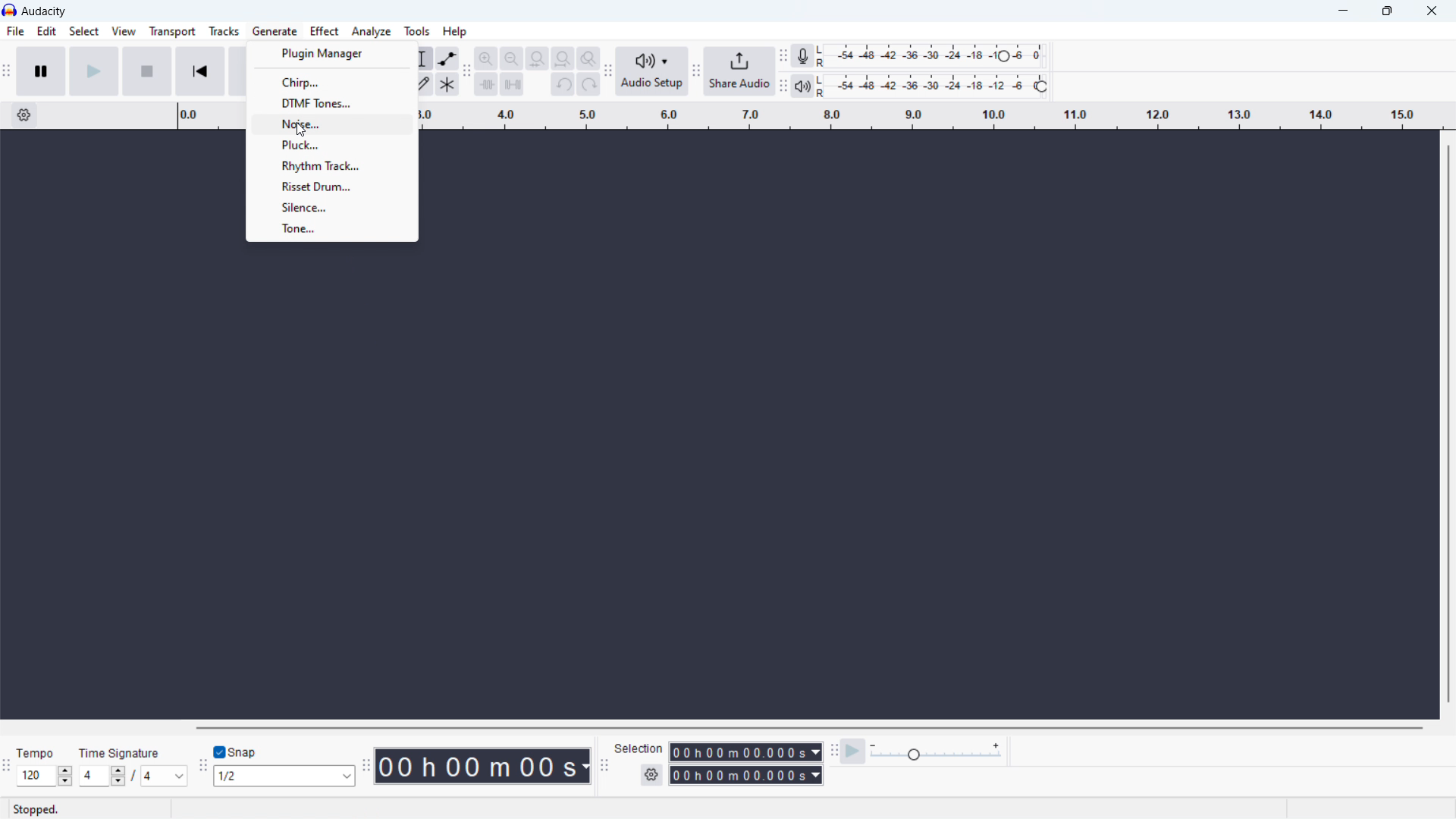  I want to click on Edit, so click(45, 31).